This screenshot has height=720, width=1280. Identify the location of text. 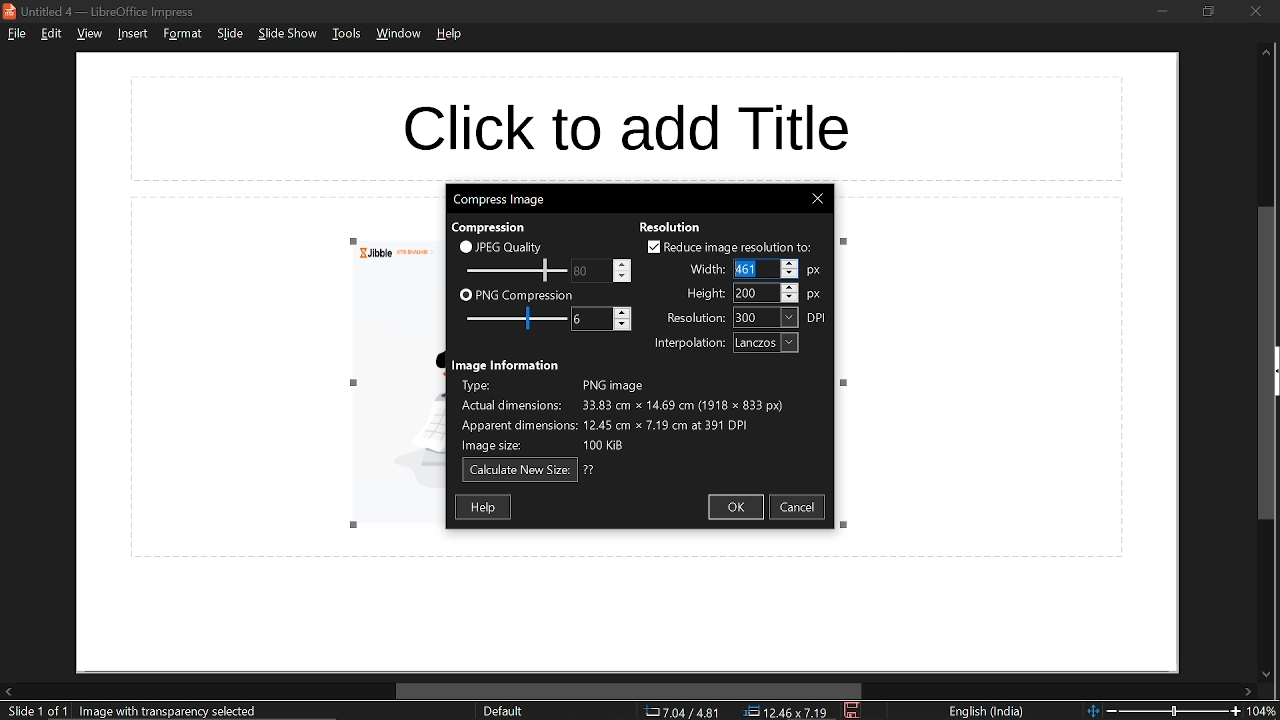
(695, 317).